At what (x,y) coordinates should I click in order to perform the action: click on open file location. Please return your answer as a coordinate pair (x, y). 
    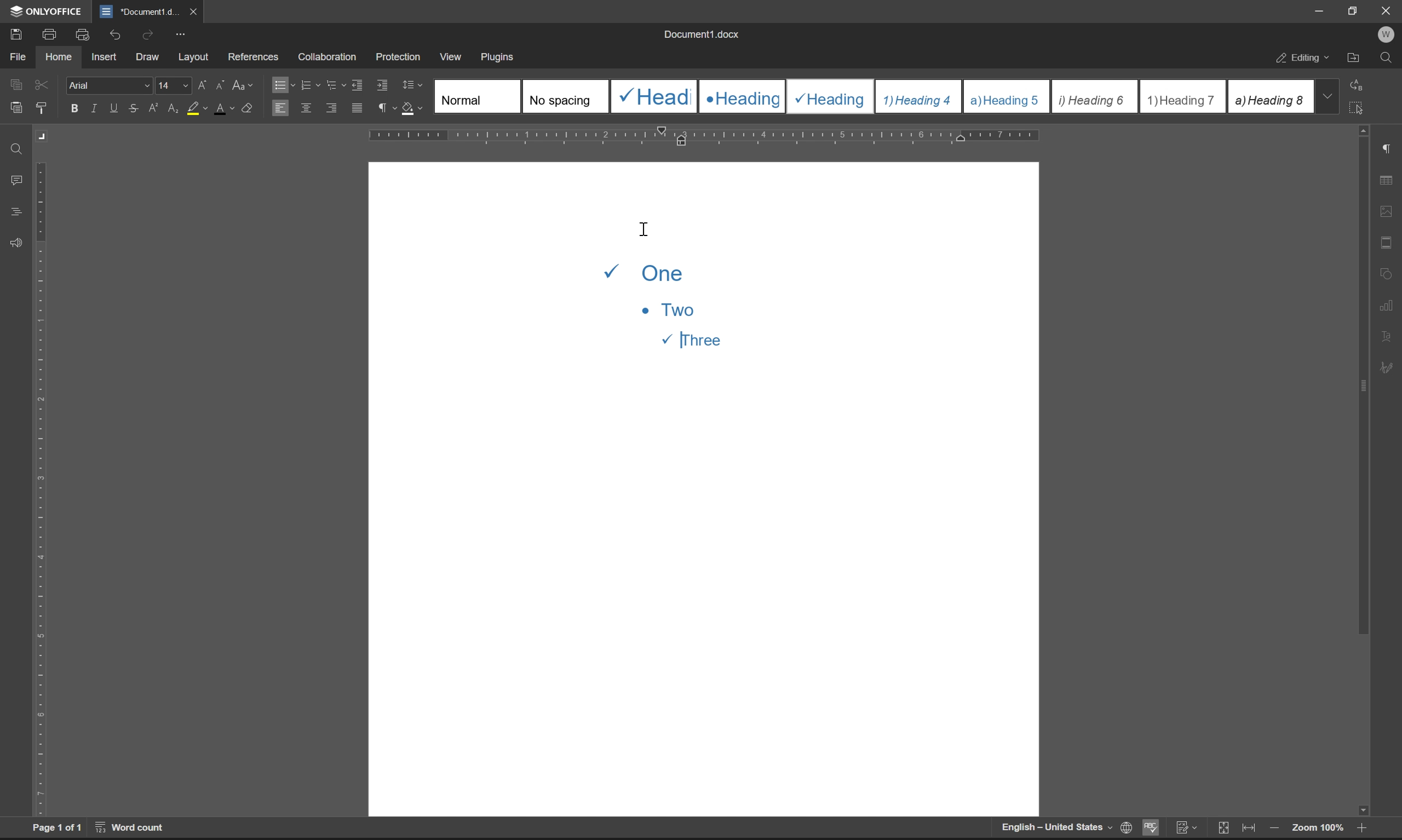
    Looking at the image, I should click on (1354, 59).